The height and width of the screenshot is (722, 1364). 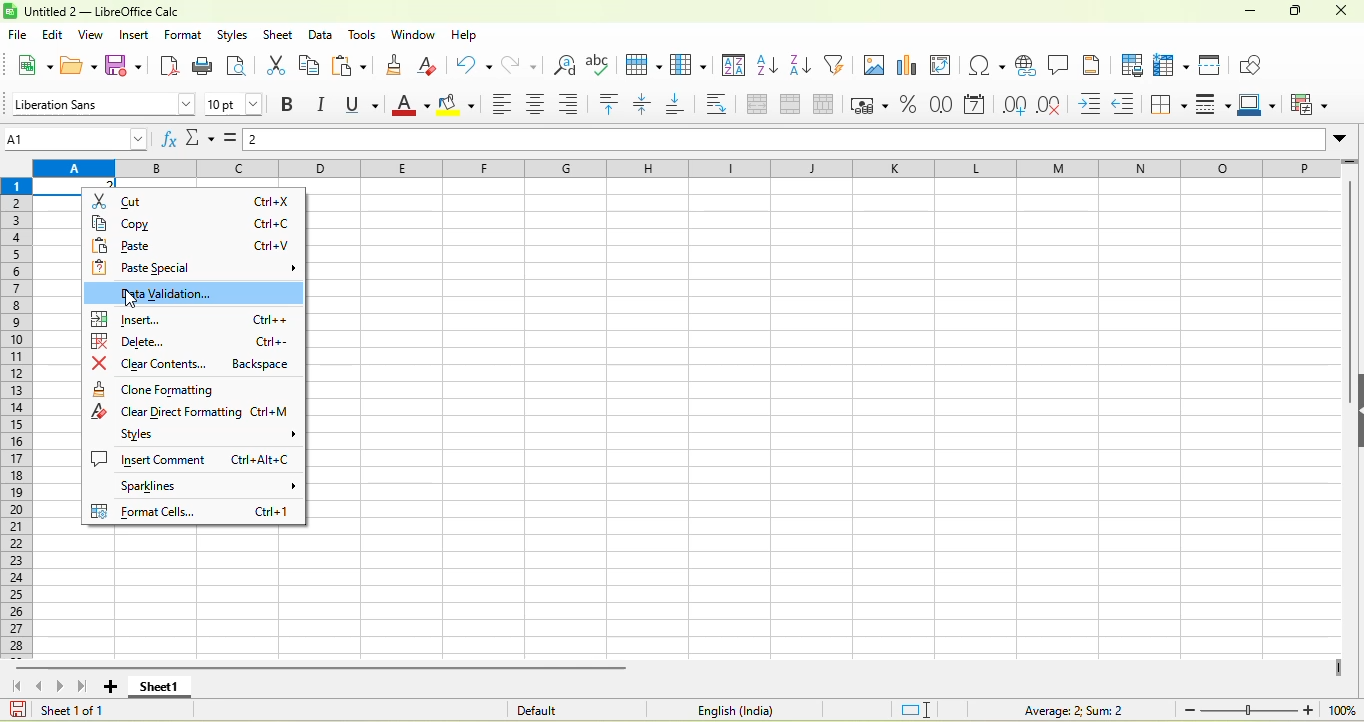 I want to click on text language, so click(x=731, y=712).